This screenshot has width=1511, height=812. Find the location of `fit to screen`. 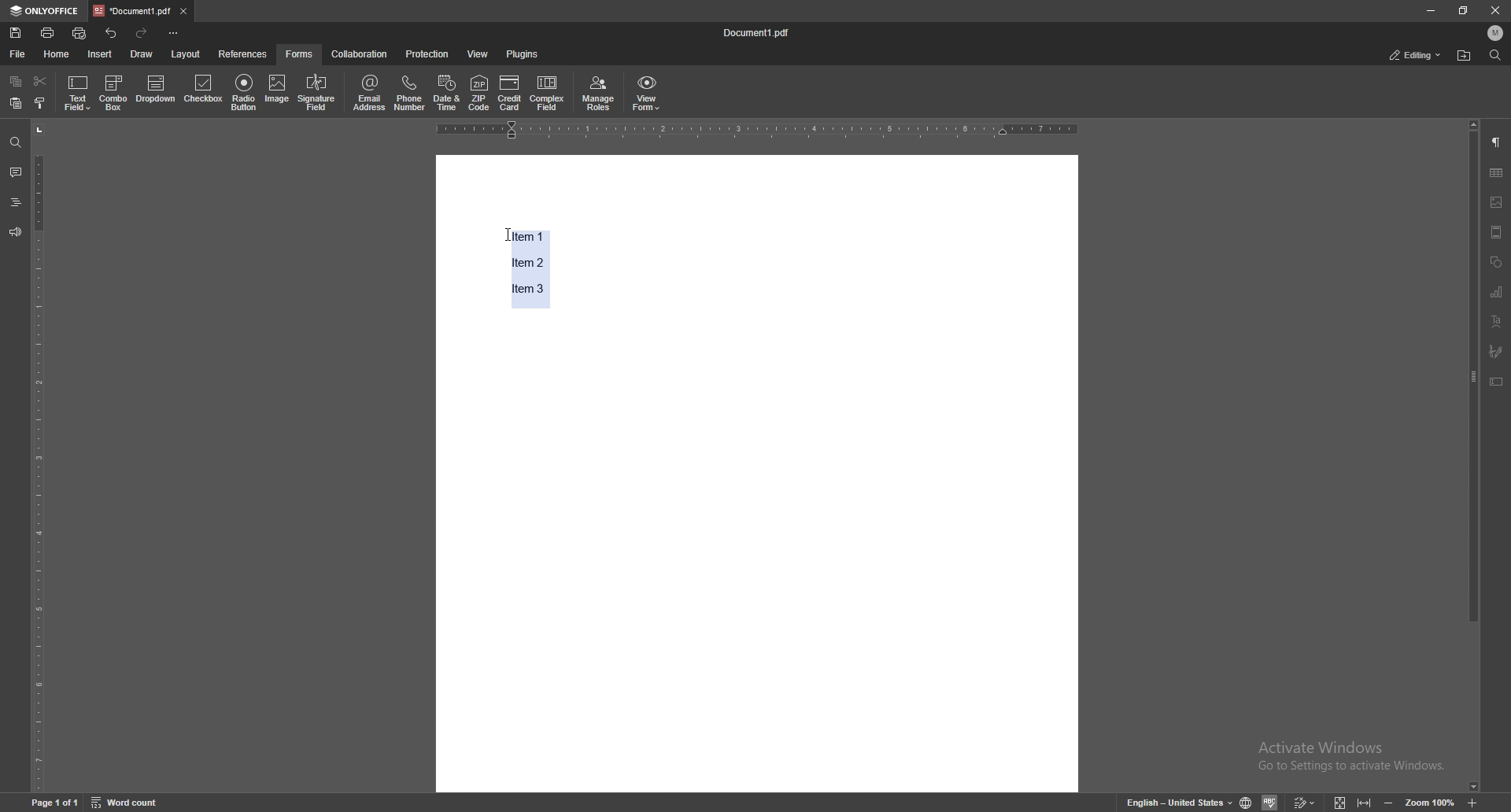

fit to screen is located at coordinates (1340, 801).